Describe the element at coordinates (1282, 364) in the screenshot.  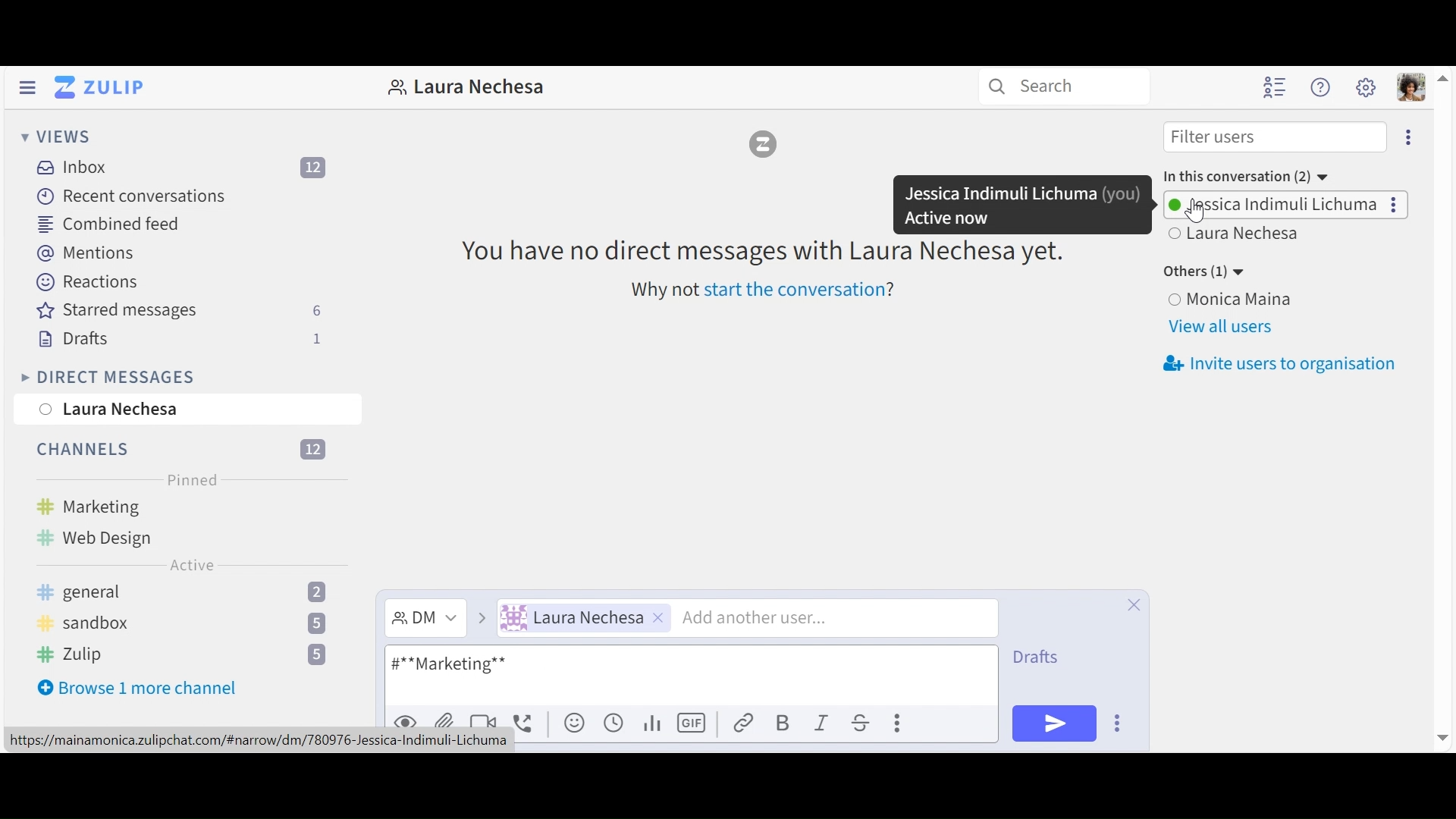
I see `invite users to organisation` at that location.